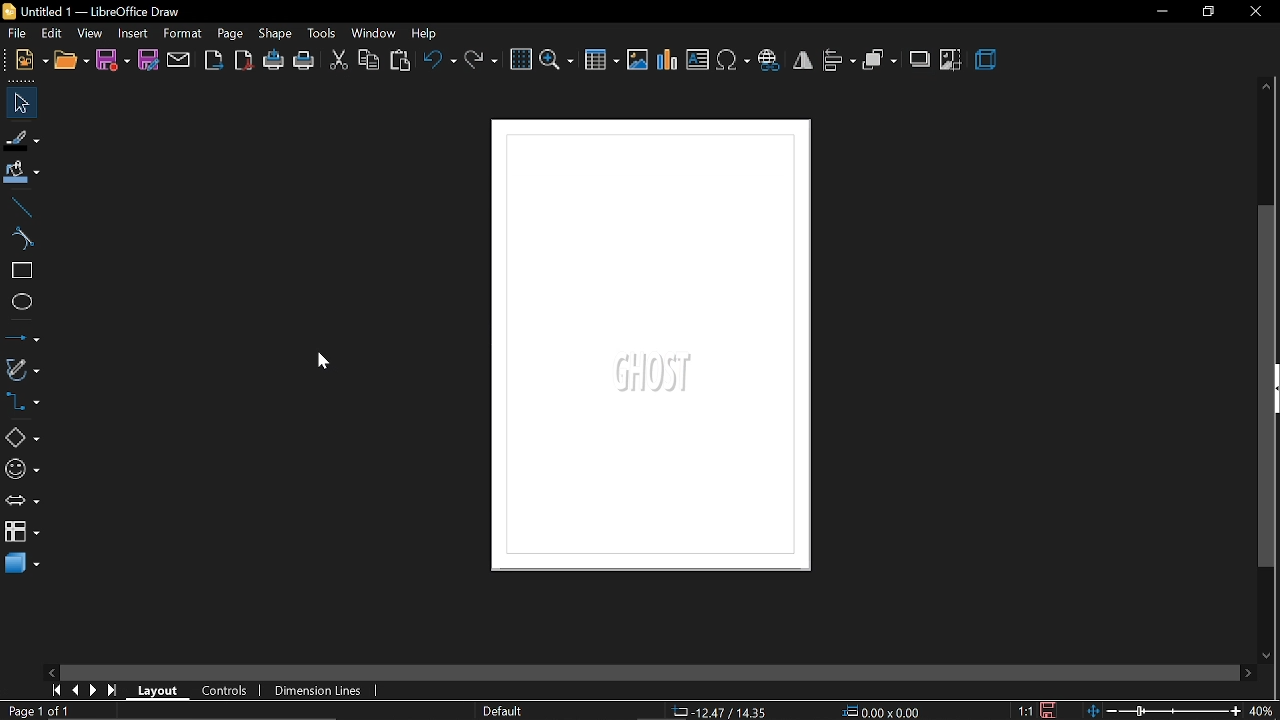 The width and height of the screenshot is (1280, 720). Describe the element at coordinates (638, 60) in the screenshot. I see `insert image` at that location.